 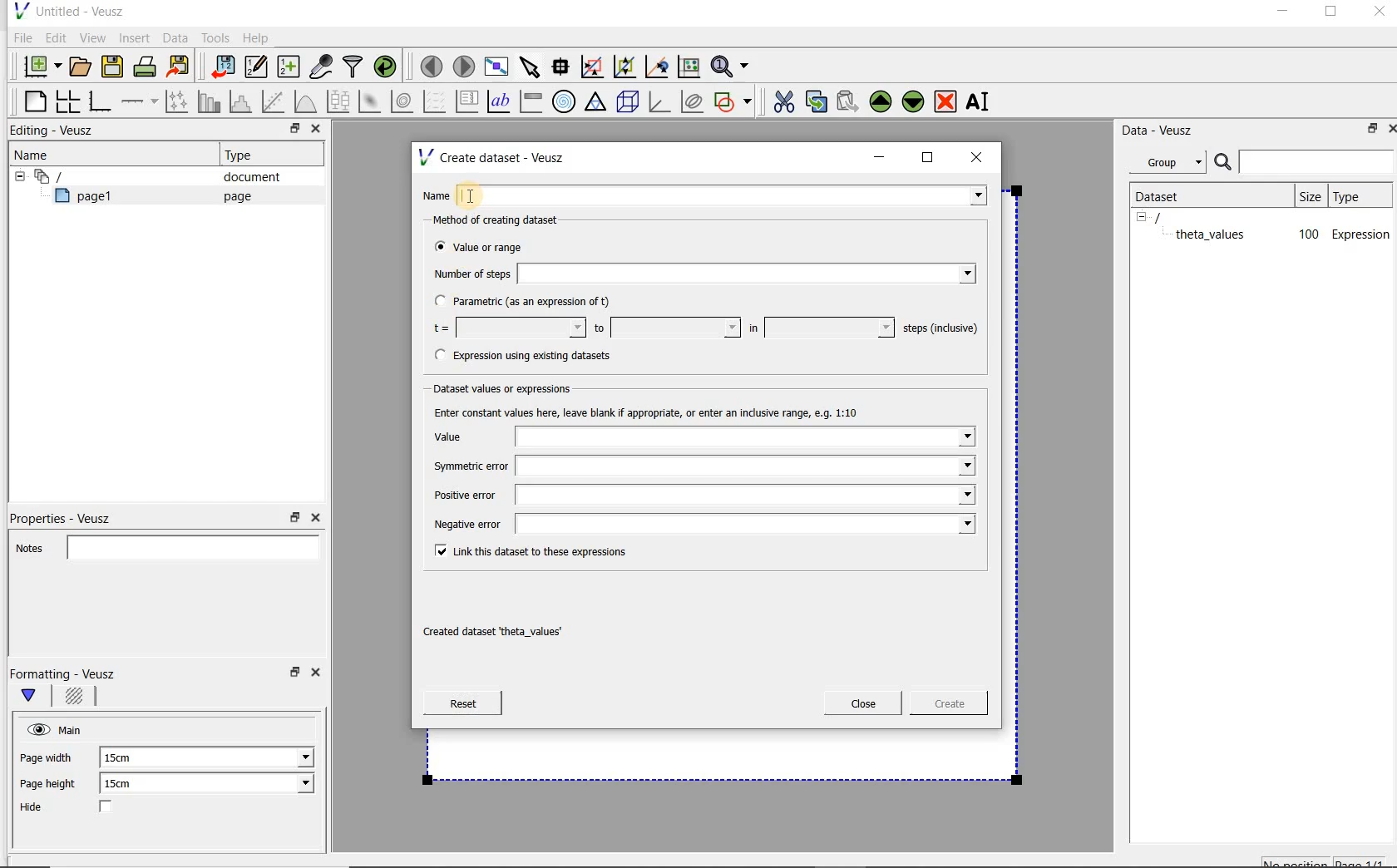 I want to click on document, so click(x=245, y=177).